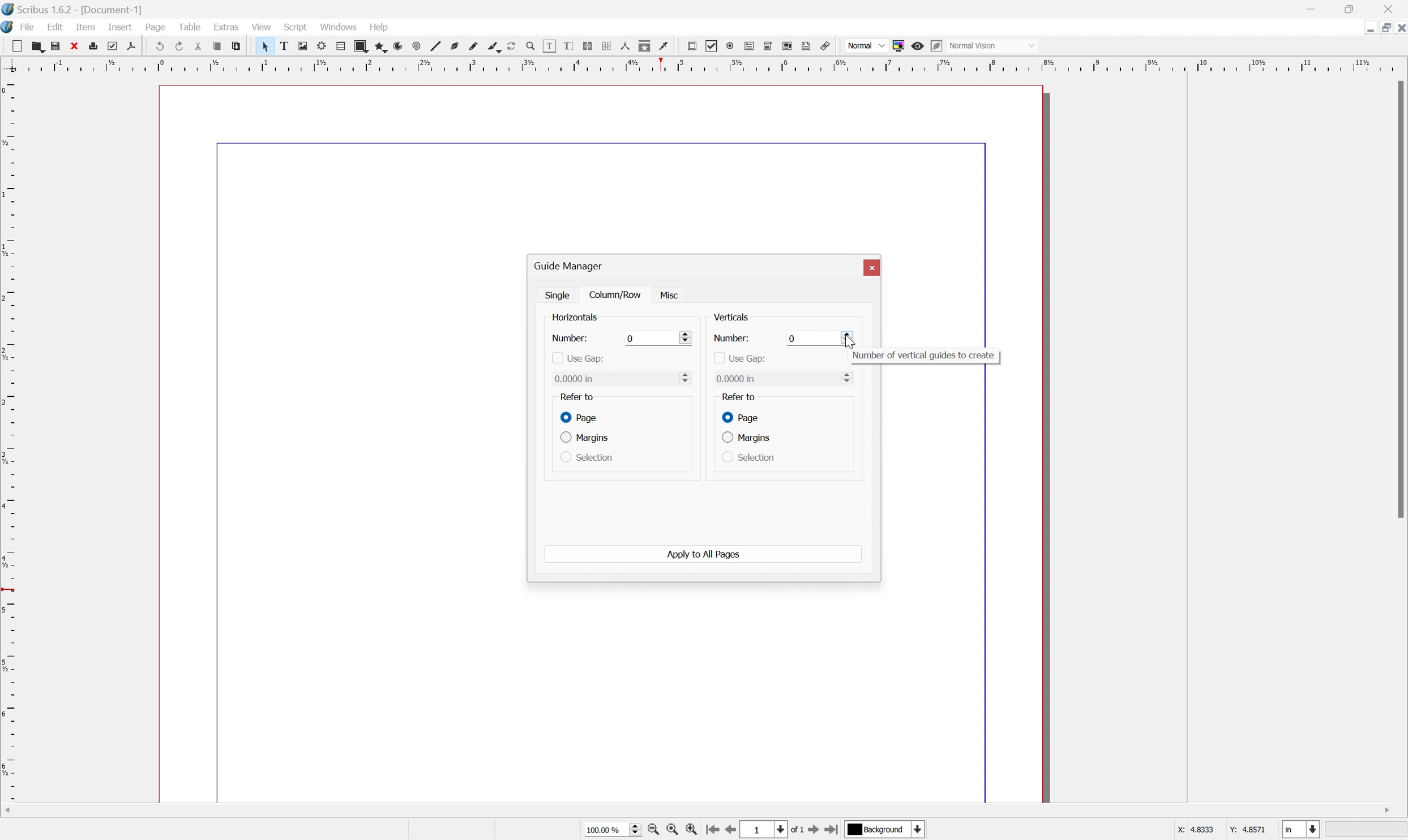 This screenshot has height=840, width=1408. What do you see at coordinates (226, 27) in the screenshot?
I see `extras` at bounding box center [226, 27].